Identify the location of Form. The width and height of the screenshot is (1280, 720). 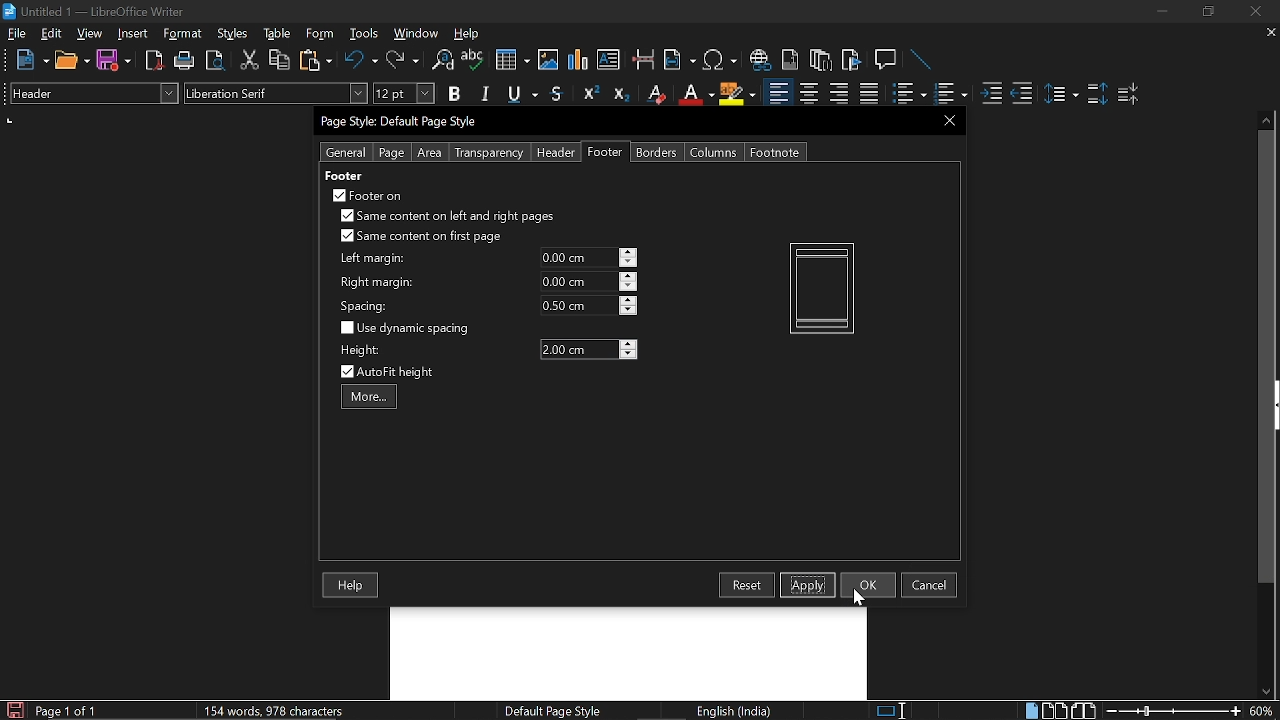
(321, 34).